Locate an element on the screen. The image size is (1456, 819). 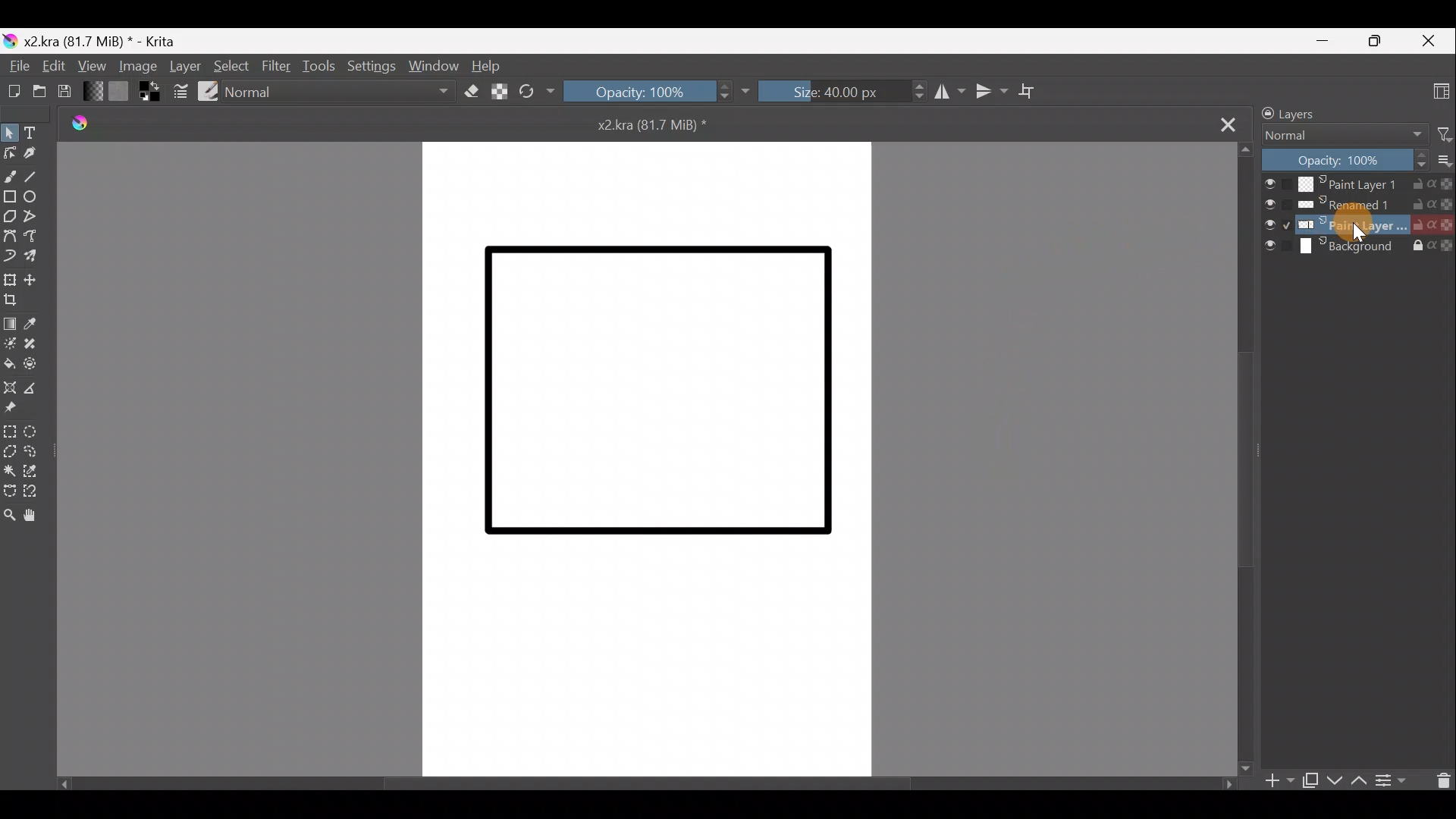
Save is located at coordinates (64, 90).